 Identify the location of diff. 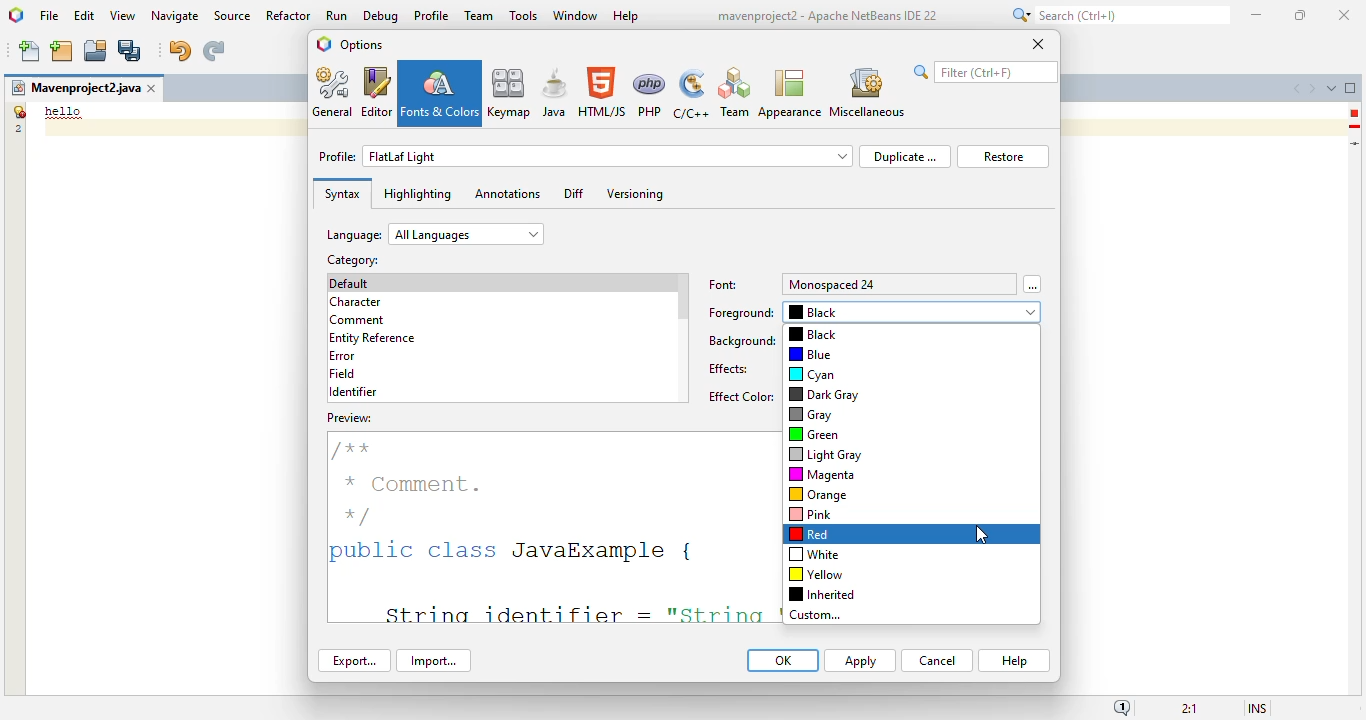
(574, 193).